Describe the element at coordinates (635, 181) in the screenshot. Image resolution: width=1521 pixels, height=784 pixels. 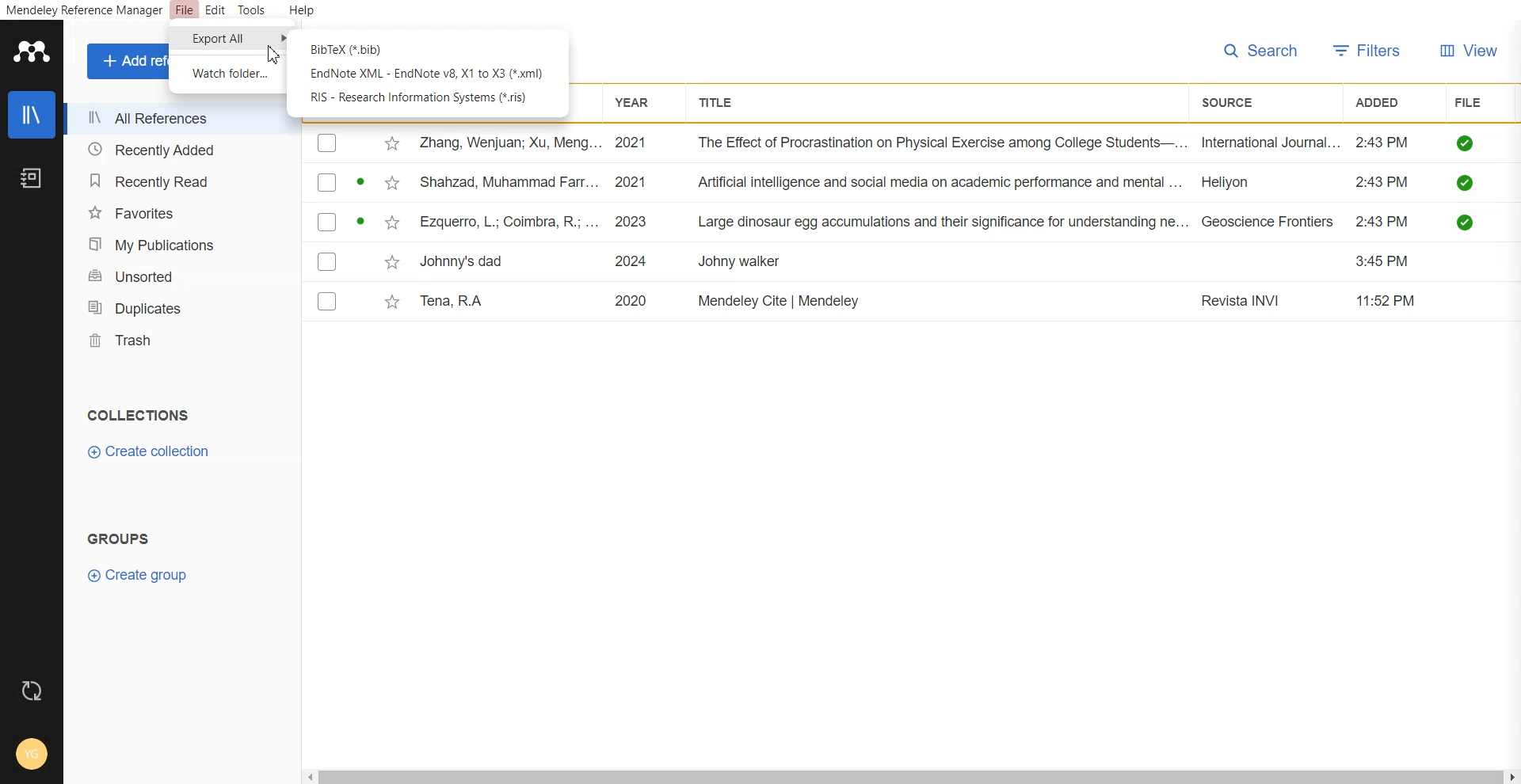
I see `2021` at that location.